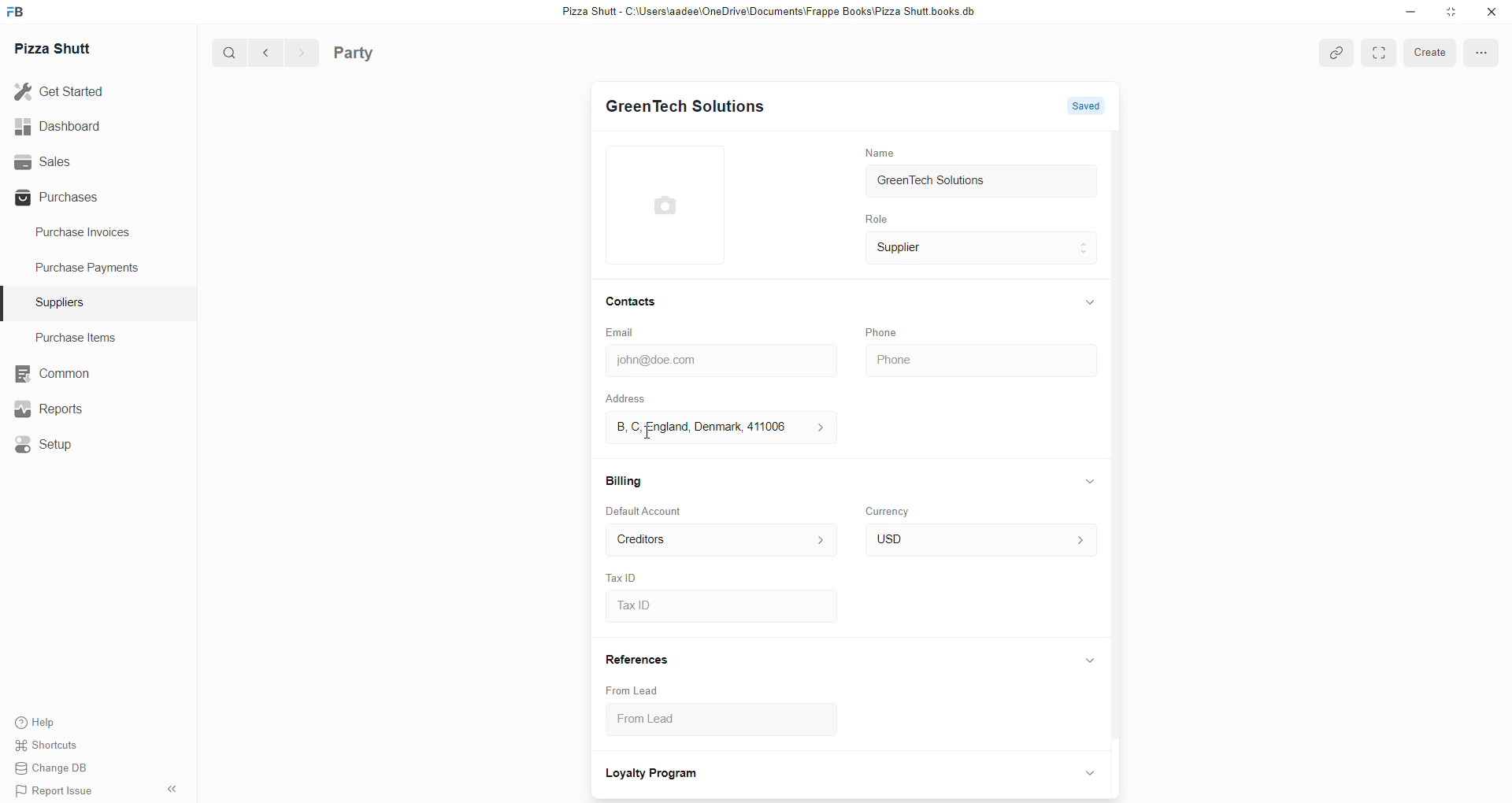 This screenshot has height=803, width=1512. Describe the element at coordinates (89, 235) in the screenshot. I see `Purchase Invoices` at that location.